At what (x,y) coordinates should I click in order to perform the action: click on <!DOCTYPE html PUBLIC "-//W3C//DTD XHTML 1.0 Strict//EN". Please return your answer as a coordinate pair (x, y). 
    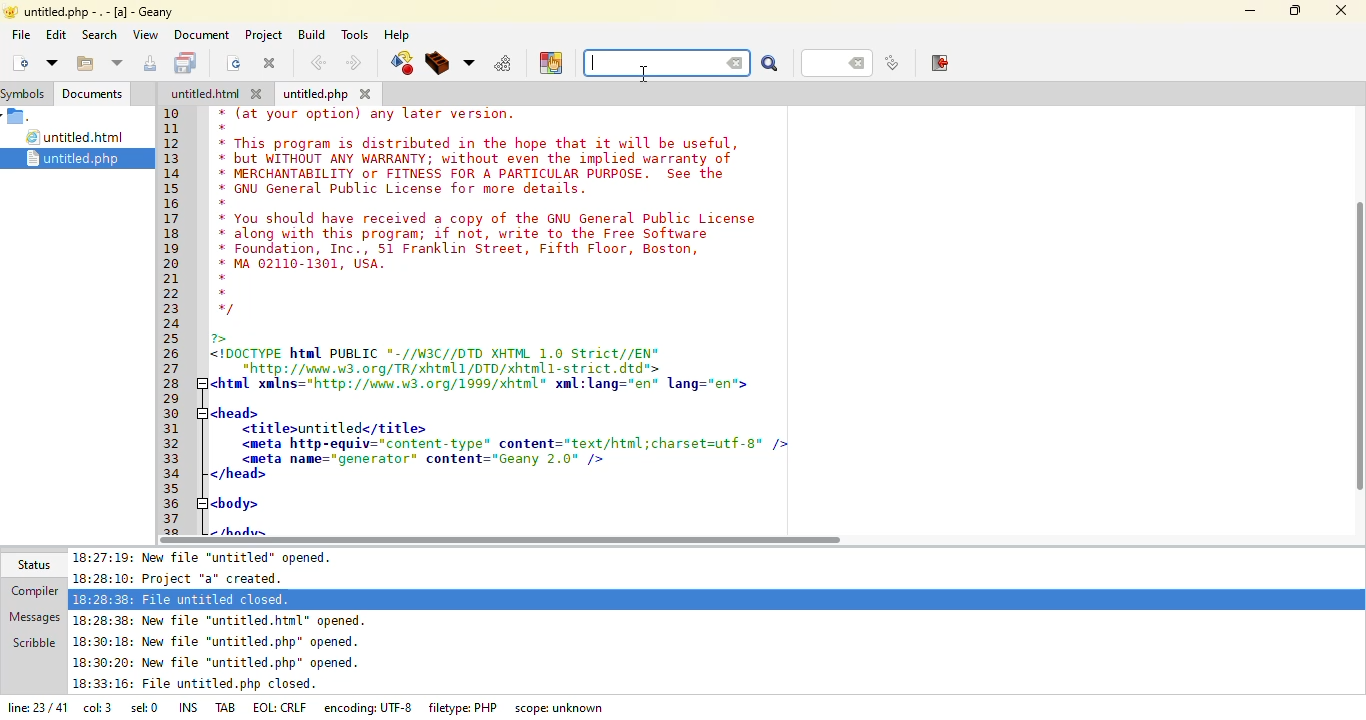
    Looking at the image, I should click on (437, 355).